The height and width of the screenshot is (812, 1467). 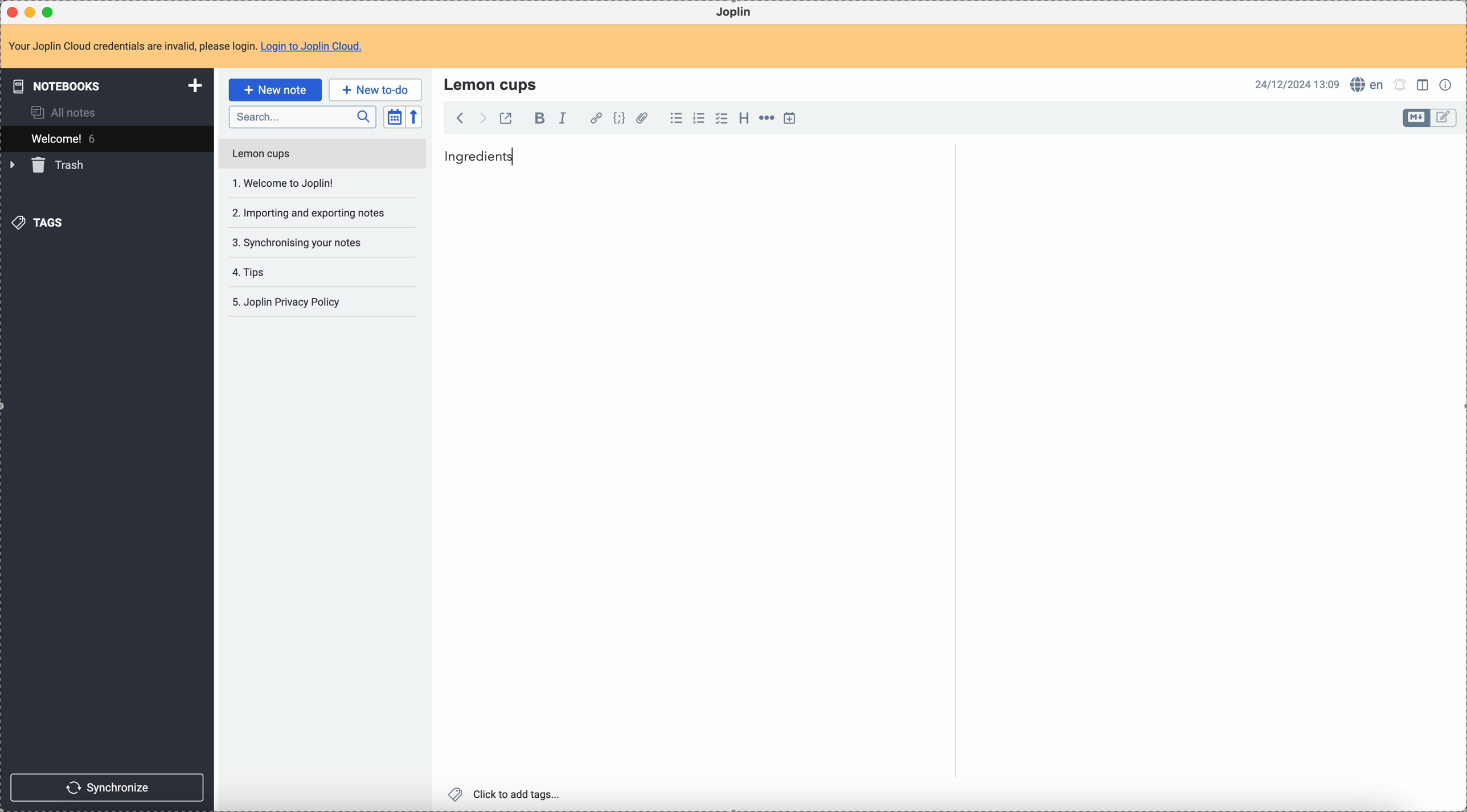 I want to click on note, so click(x=192, y=47).